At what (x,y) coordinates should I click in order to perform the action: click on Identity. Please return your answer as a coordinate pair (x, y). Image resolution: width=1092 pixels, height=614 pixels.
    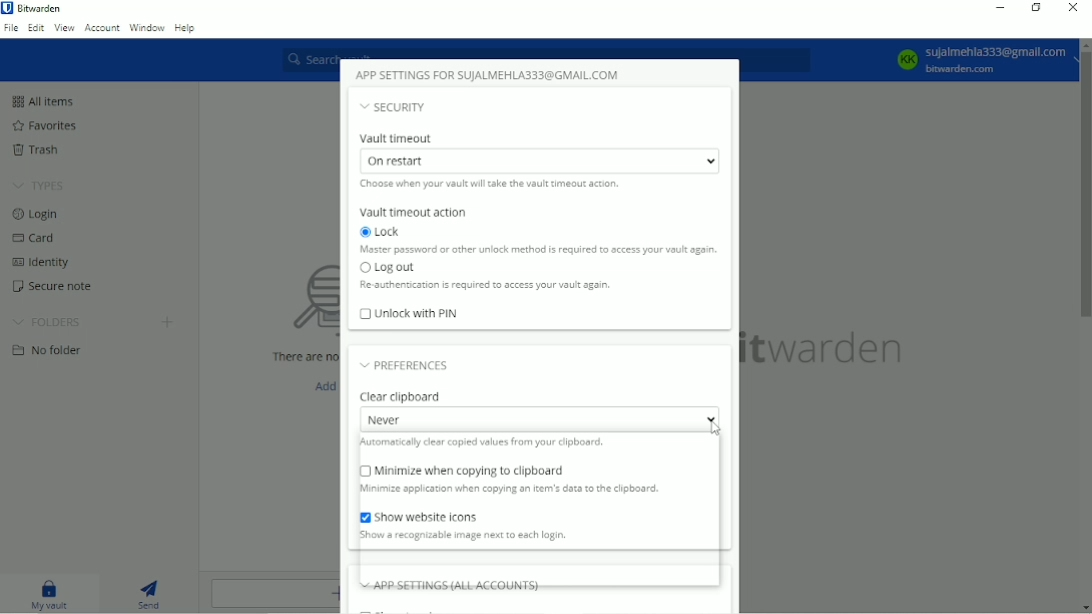
    Looking at the image, I should click on (44, 262).